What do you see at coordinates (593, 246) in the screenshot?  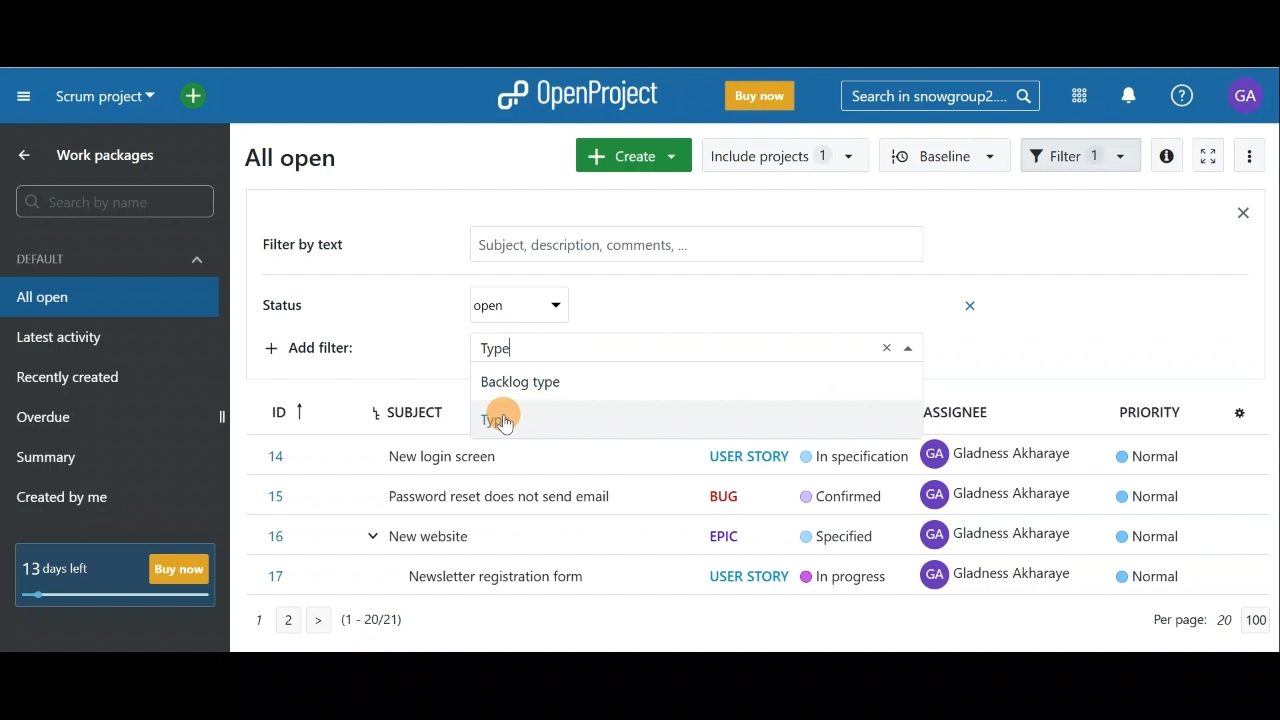 I see `Filter by text` at bounding box center [593, 246].